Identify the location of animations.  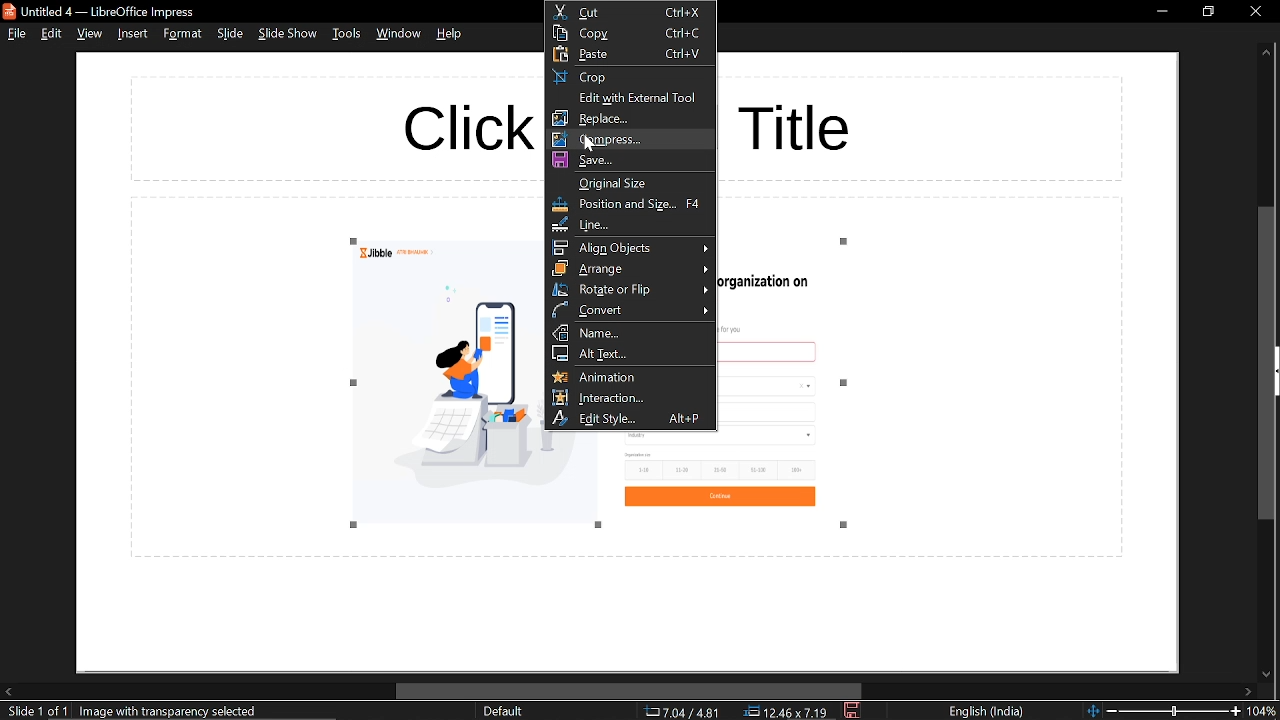
(631, 377).